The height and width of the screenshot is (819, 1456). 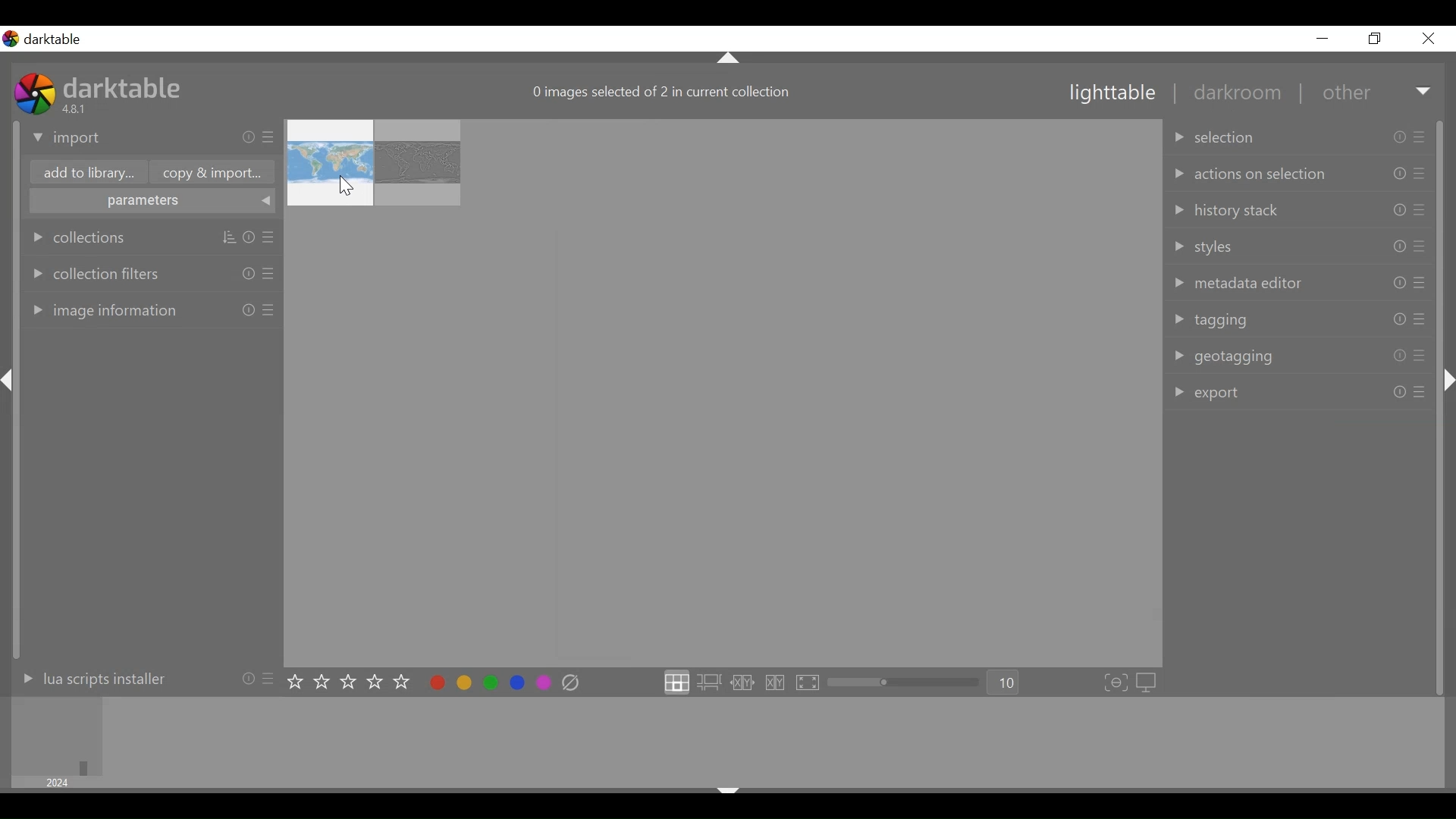 What do you see at coordinates (34, 93) in the screenshot?
I see `Darktable logo` at bounding box center [34, 93].